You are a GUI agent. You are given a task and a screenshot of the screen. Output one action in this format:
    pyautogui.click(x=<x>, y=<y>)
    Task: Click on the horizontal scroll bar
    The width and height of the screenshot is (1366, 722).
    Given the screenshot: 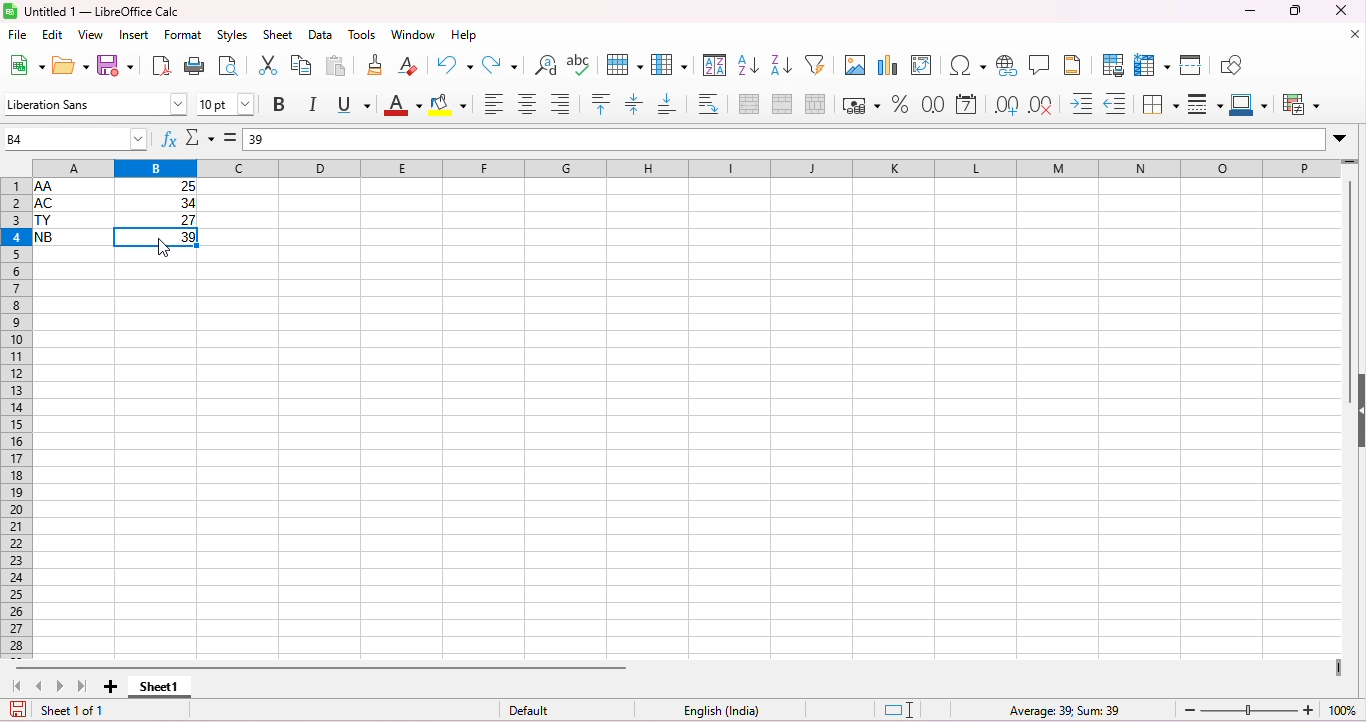 What is the action you would take?
    pyautogui.click(x=323, y=667)
    